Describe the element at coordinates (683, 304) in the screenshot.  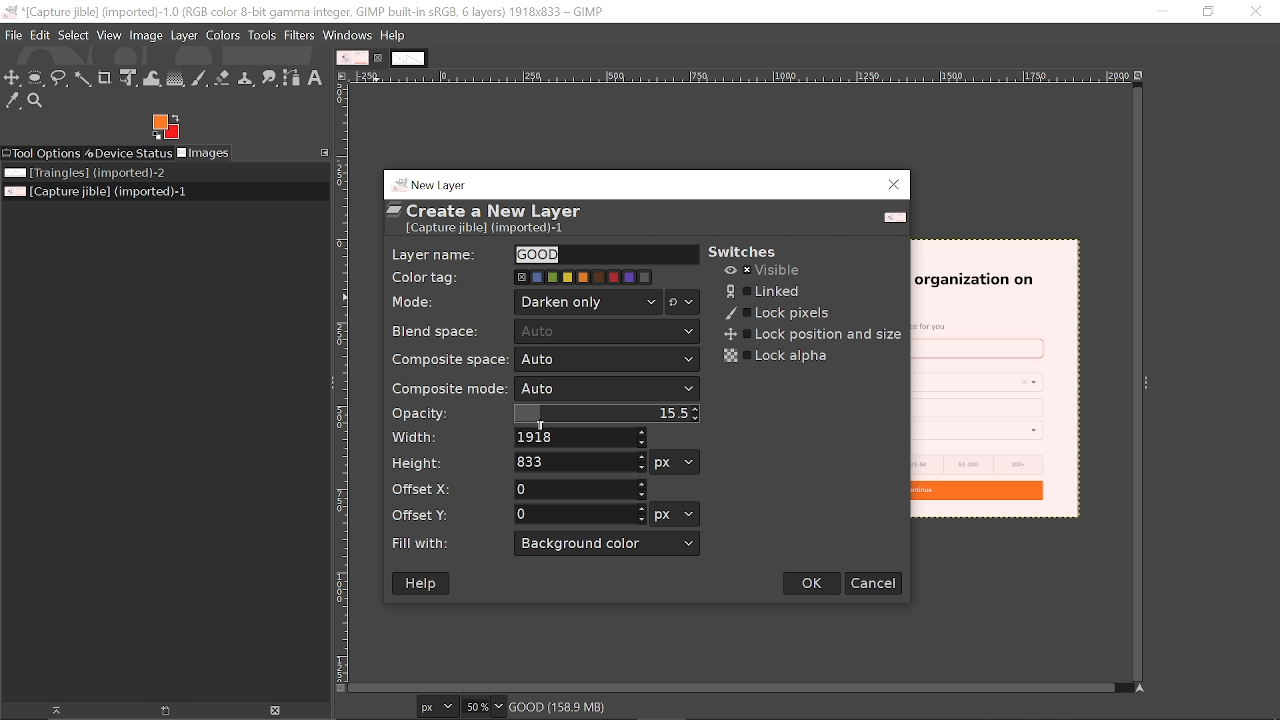
I see `Mode options` at that location.